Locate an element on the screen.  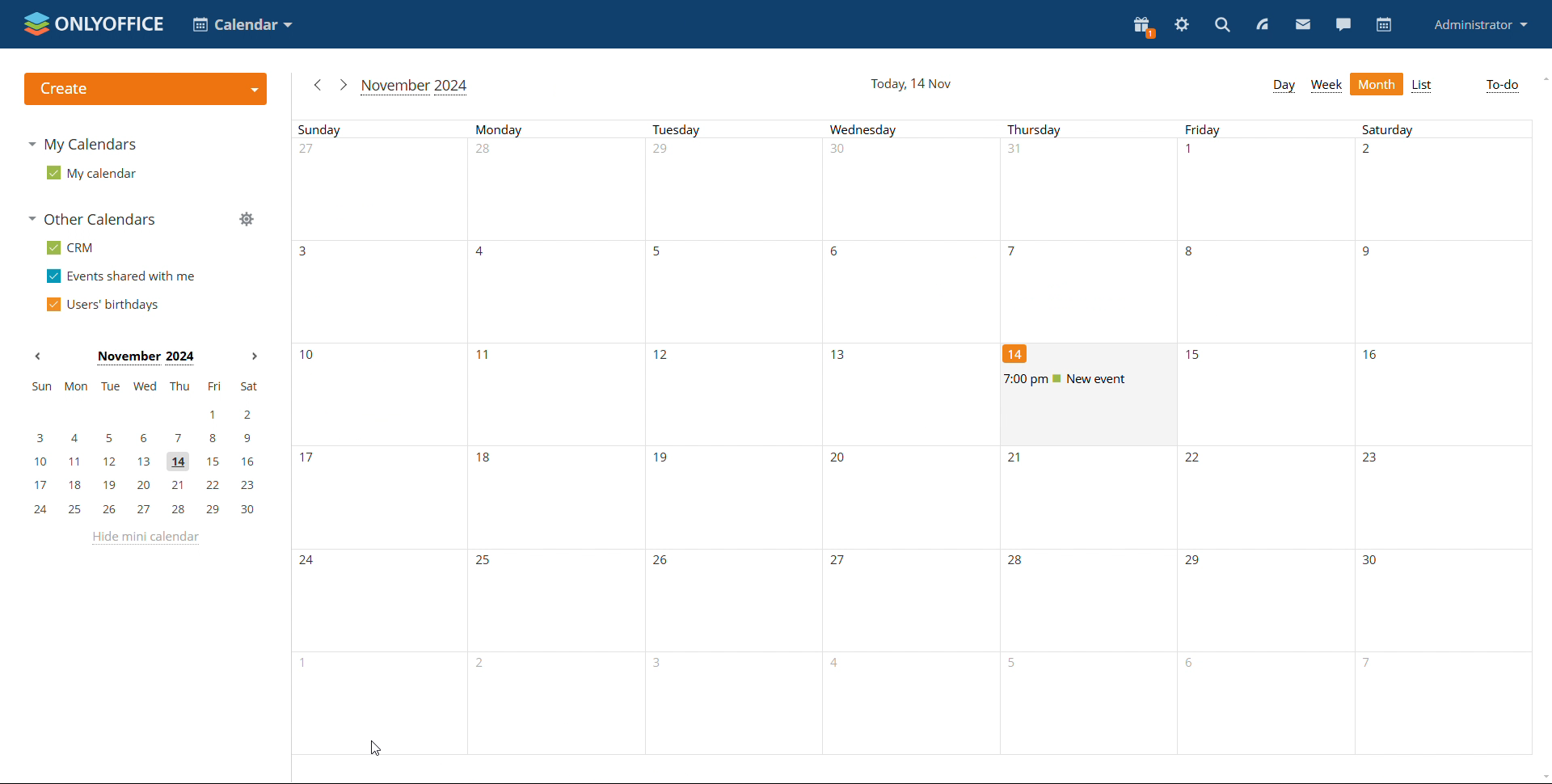
logo is located at coordinates (94, 24).